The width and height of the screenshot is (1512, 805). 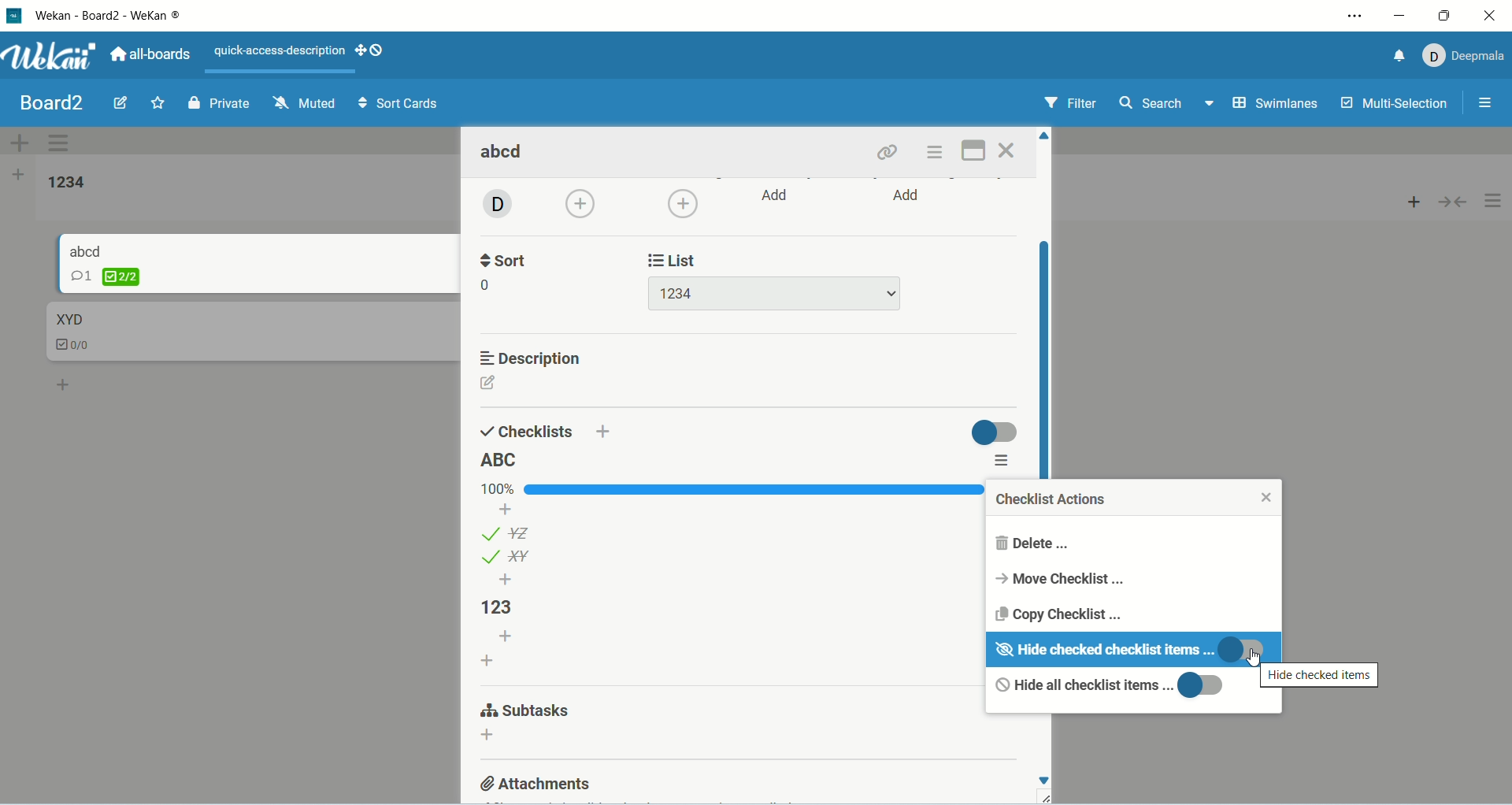 I want to click on checklist actions, so click(x=1053, y=498).